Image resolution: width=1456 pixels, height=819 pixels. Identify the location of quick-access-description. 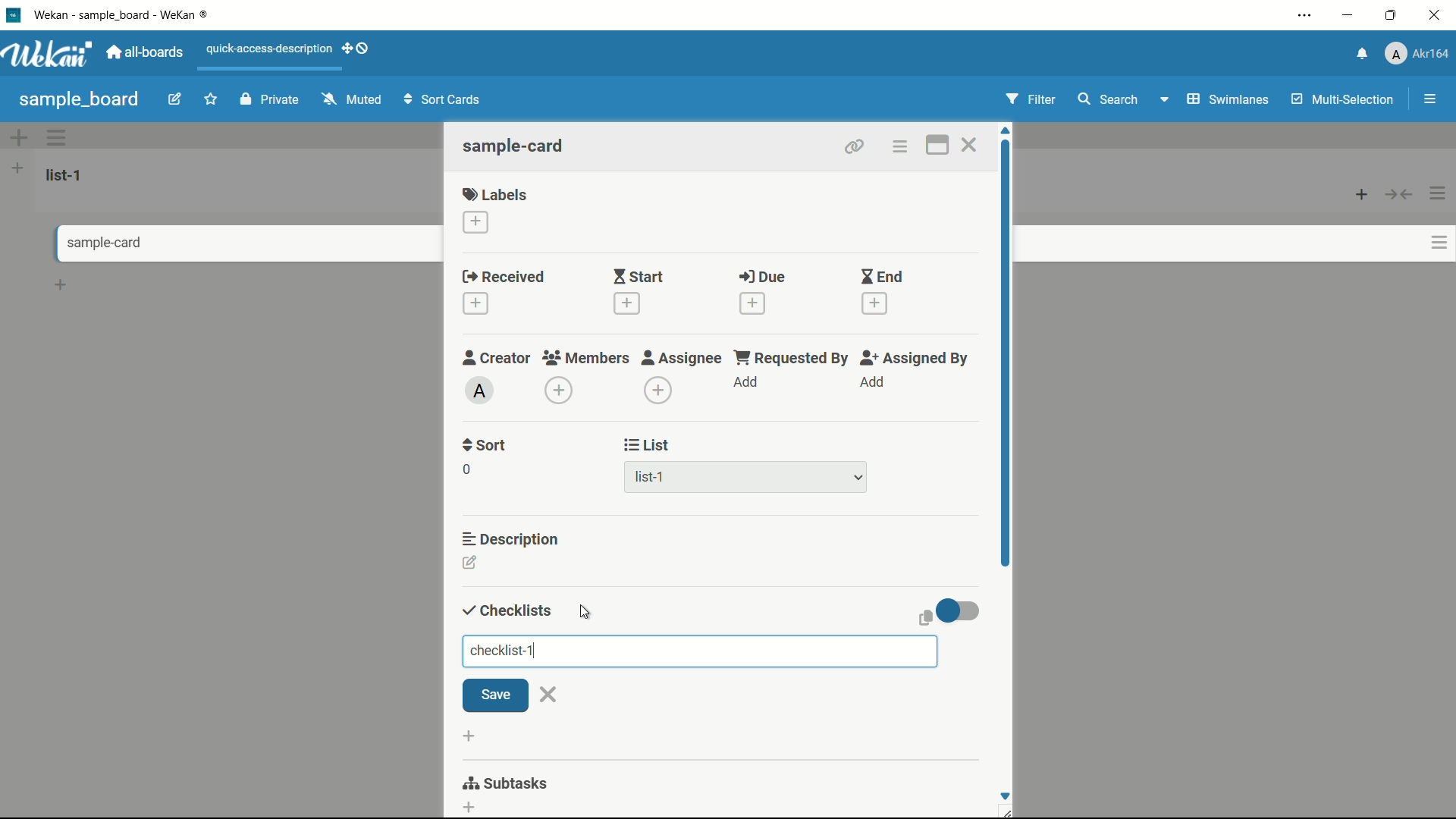
(270, 49).